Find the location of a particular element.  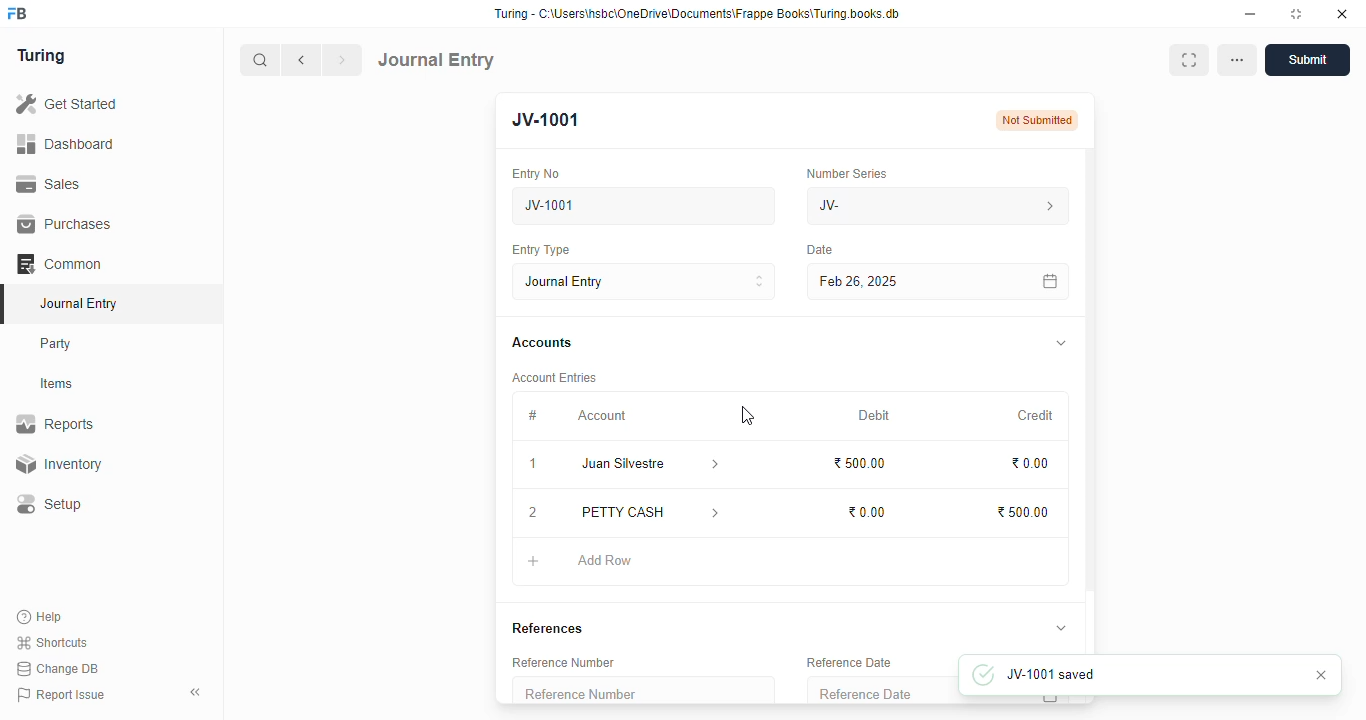

JV-1001 saved is located at coordinates (1085, 674).